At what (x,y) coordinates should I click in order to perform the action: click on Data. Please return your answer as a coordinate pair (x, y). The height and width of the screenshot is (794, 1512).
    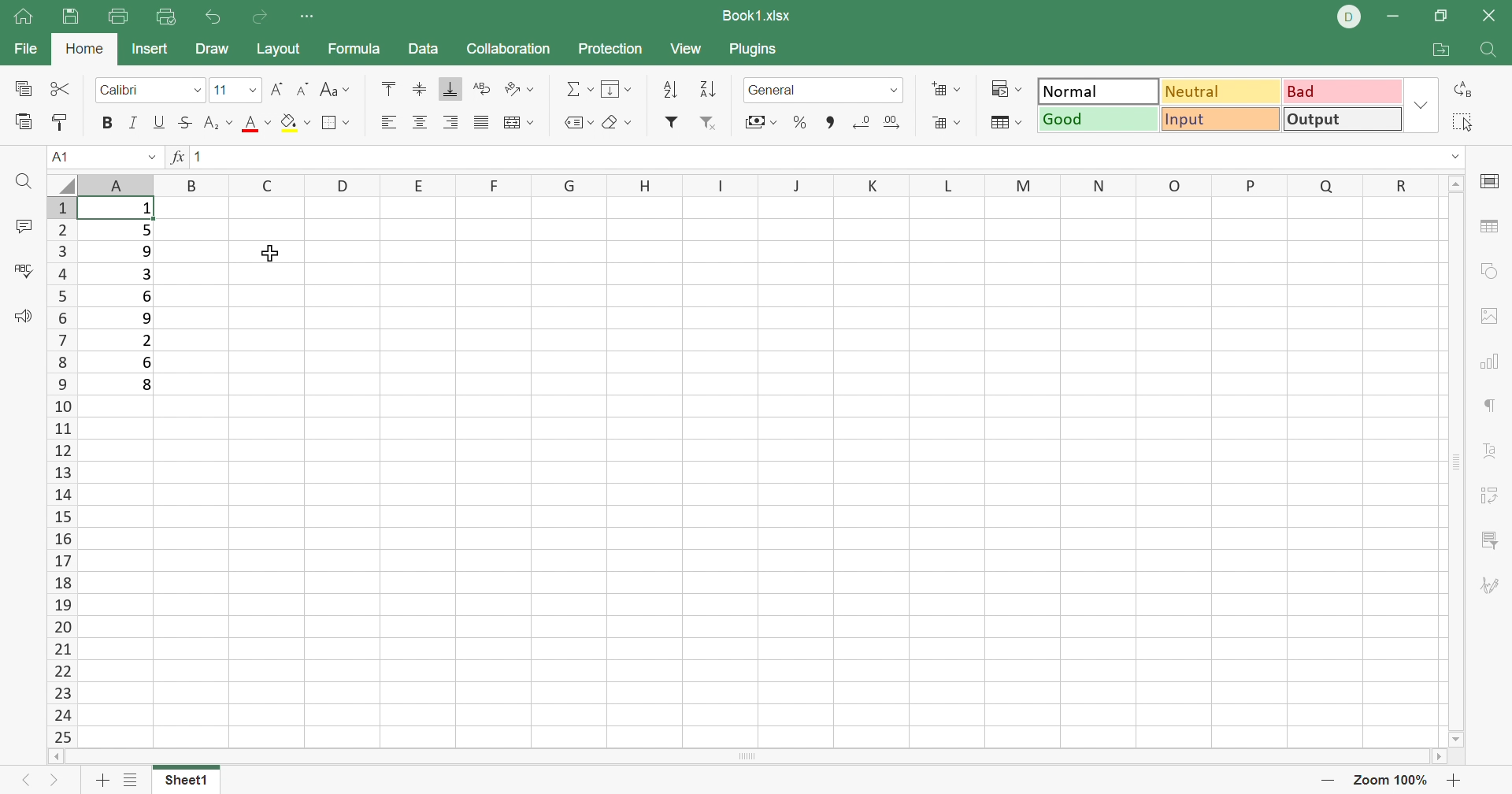
    Looking at the image, I should click on (423, 46).